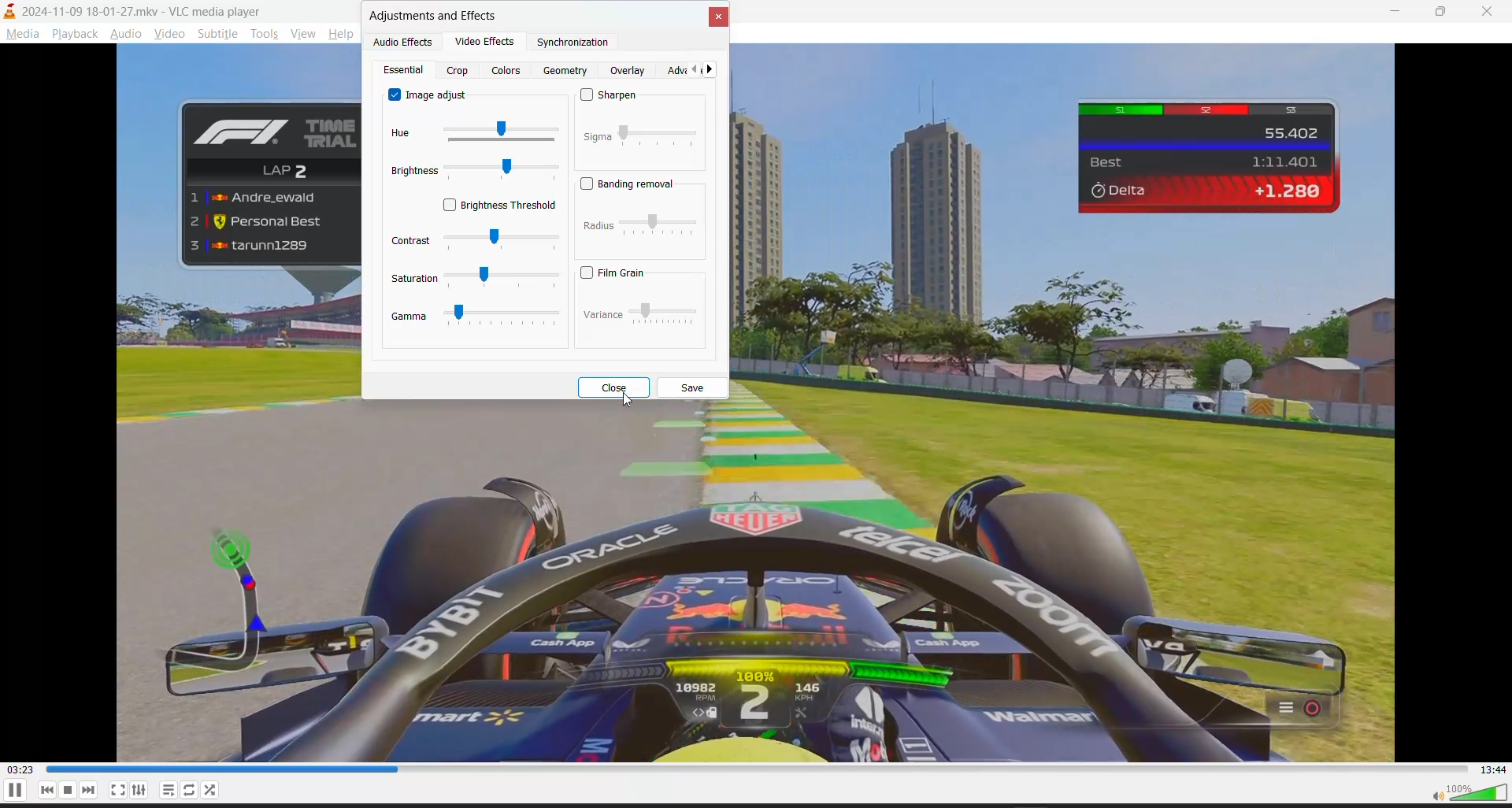  I want to click on settings, so click(139, 790).